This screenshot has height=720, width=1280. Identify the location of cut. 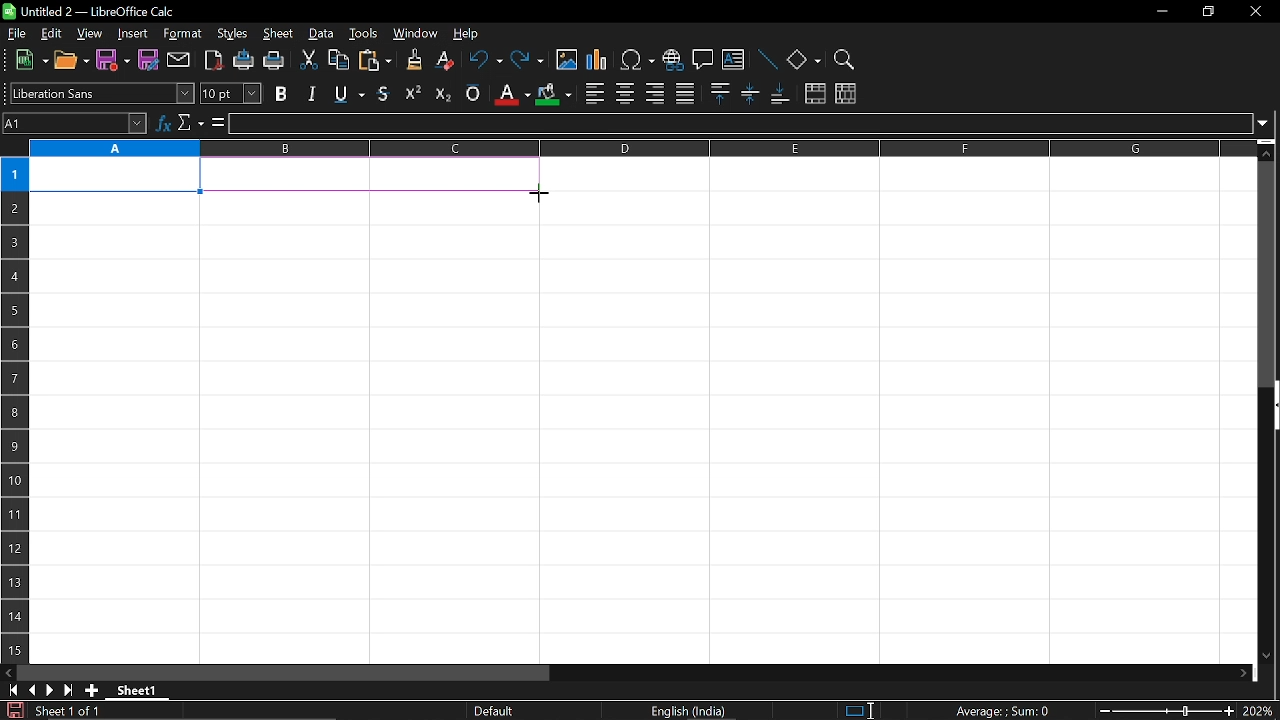
(310, 60).